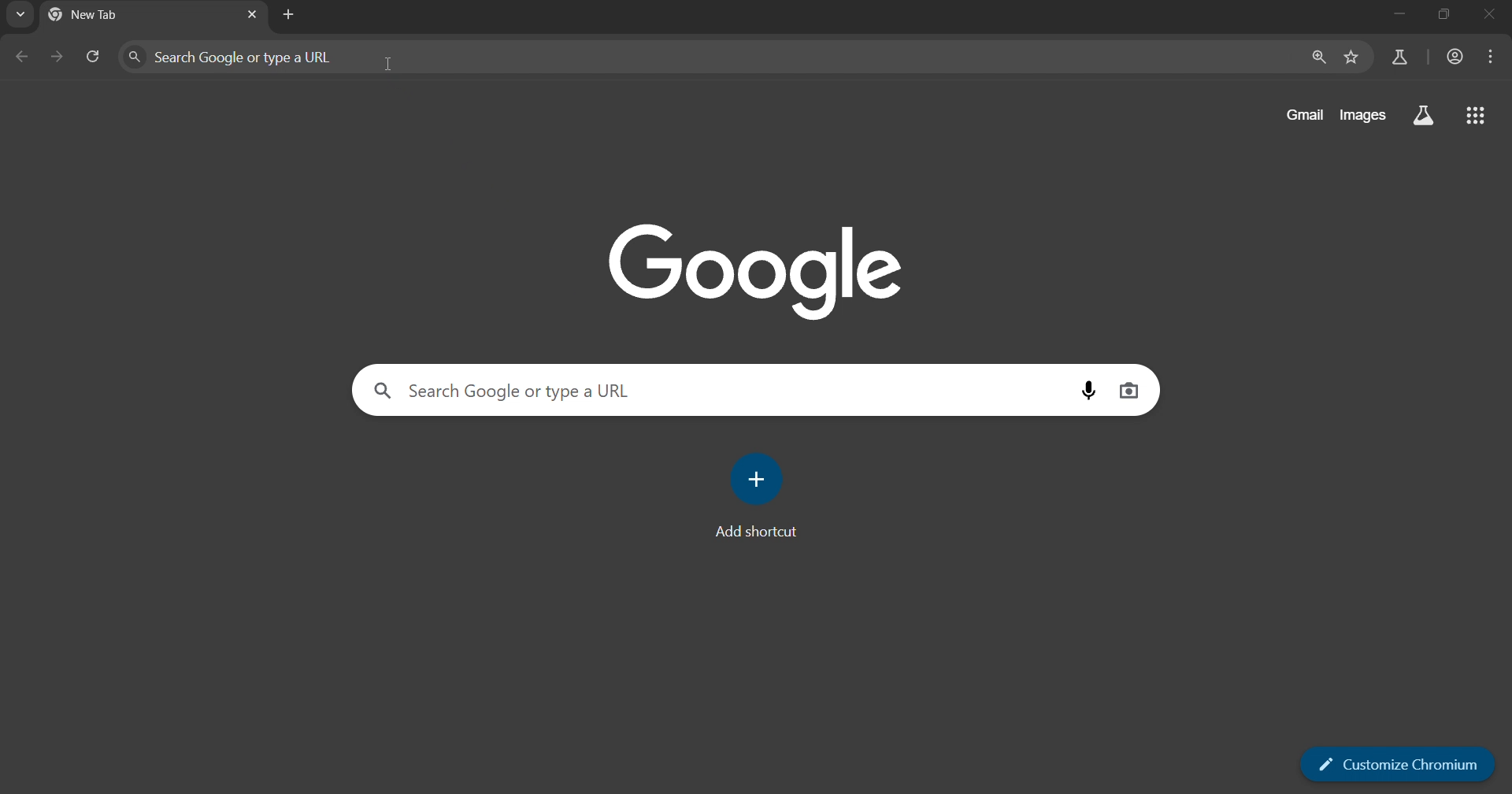 Image resolution: width=1512 pixels, height=794 pixels. I want to click on google apps, so click(1424, 117).